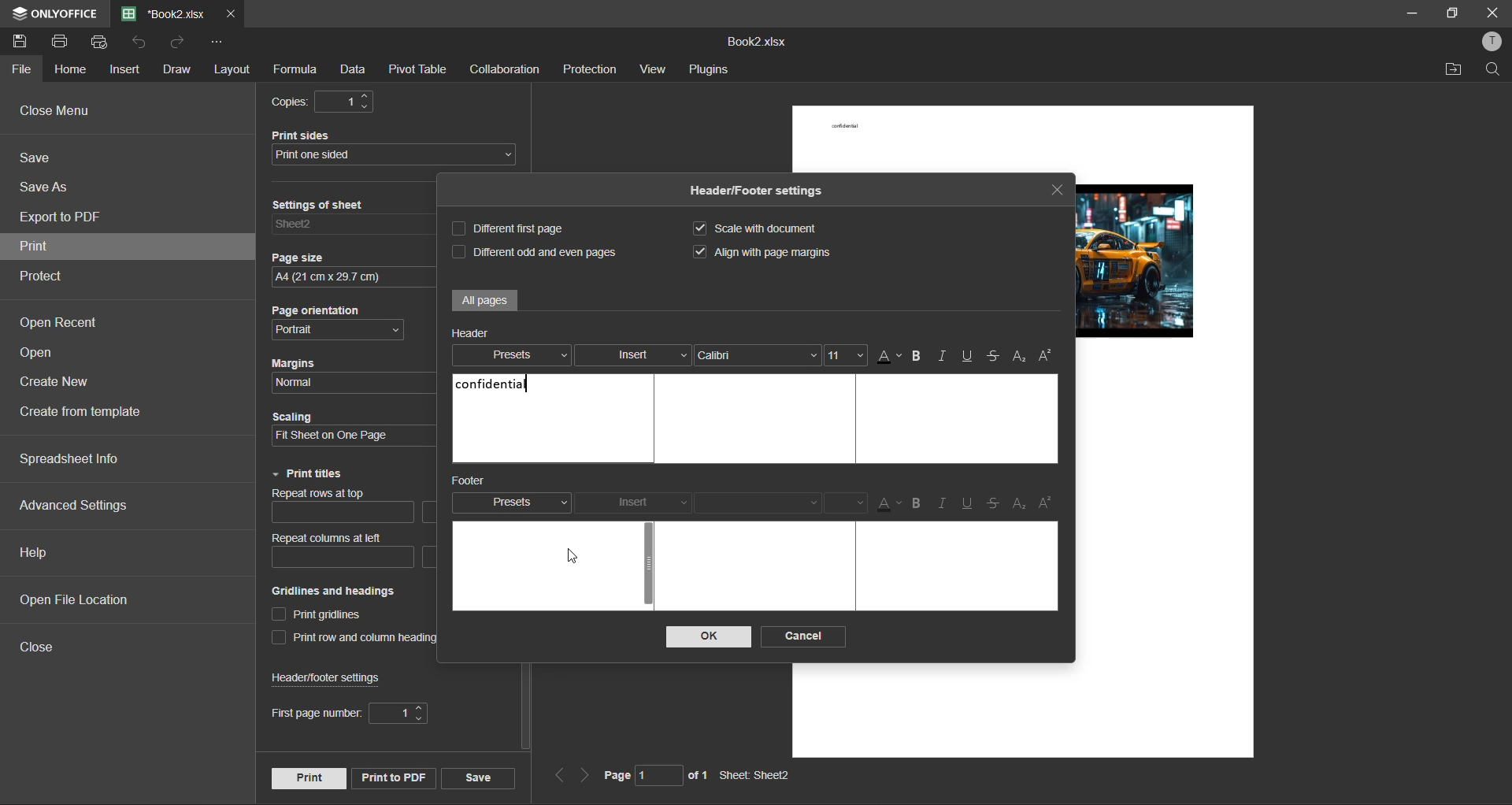  Describe the element at coordinates (127, 71) in the screenshot. I see `insert` at that location.